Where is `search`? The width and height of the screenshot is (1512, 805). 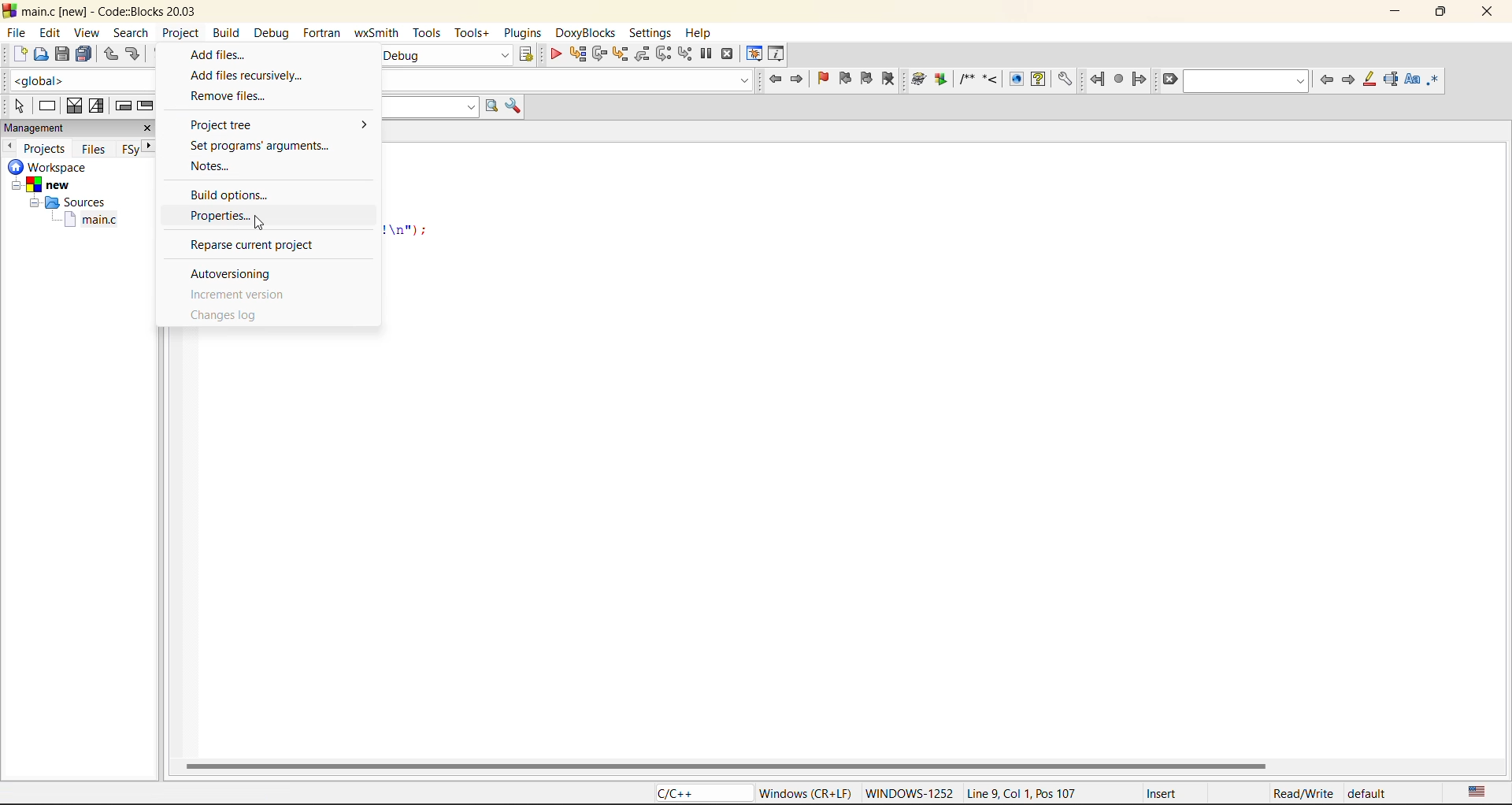 search is located at coordinates (132, 33).